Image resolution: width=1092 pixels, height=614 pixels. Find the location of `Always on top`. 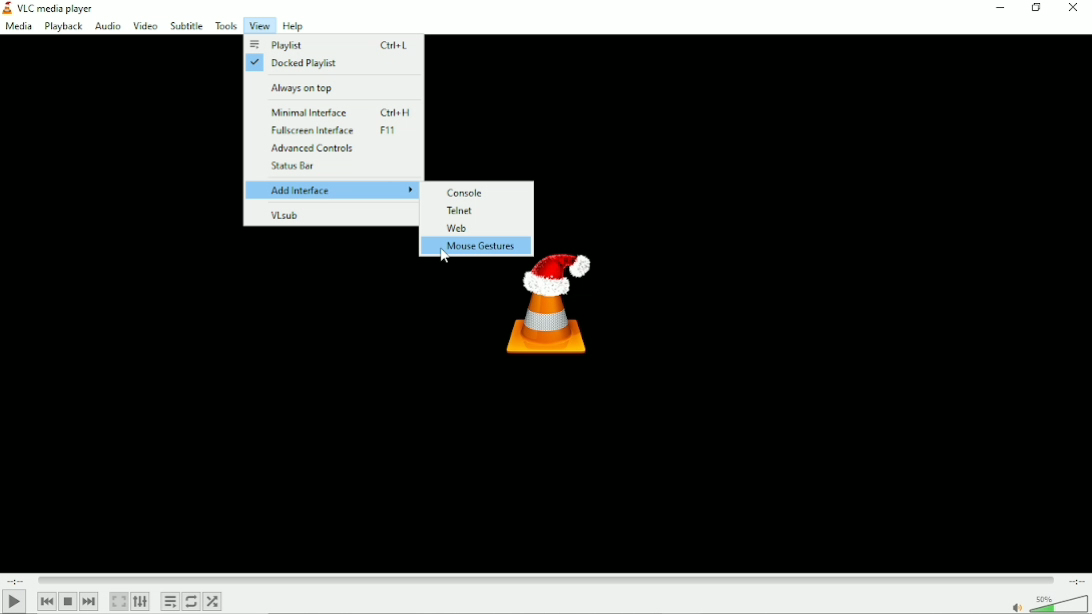

Always on top is located at coordinates (332, 88).